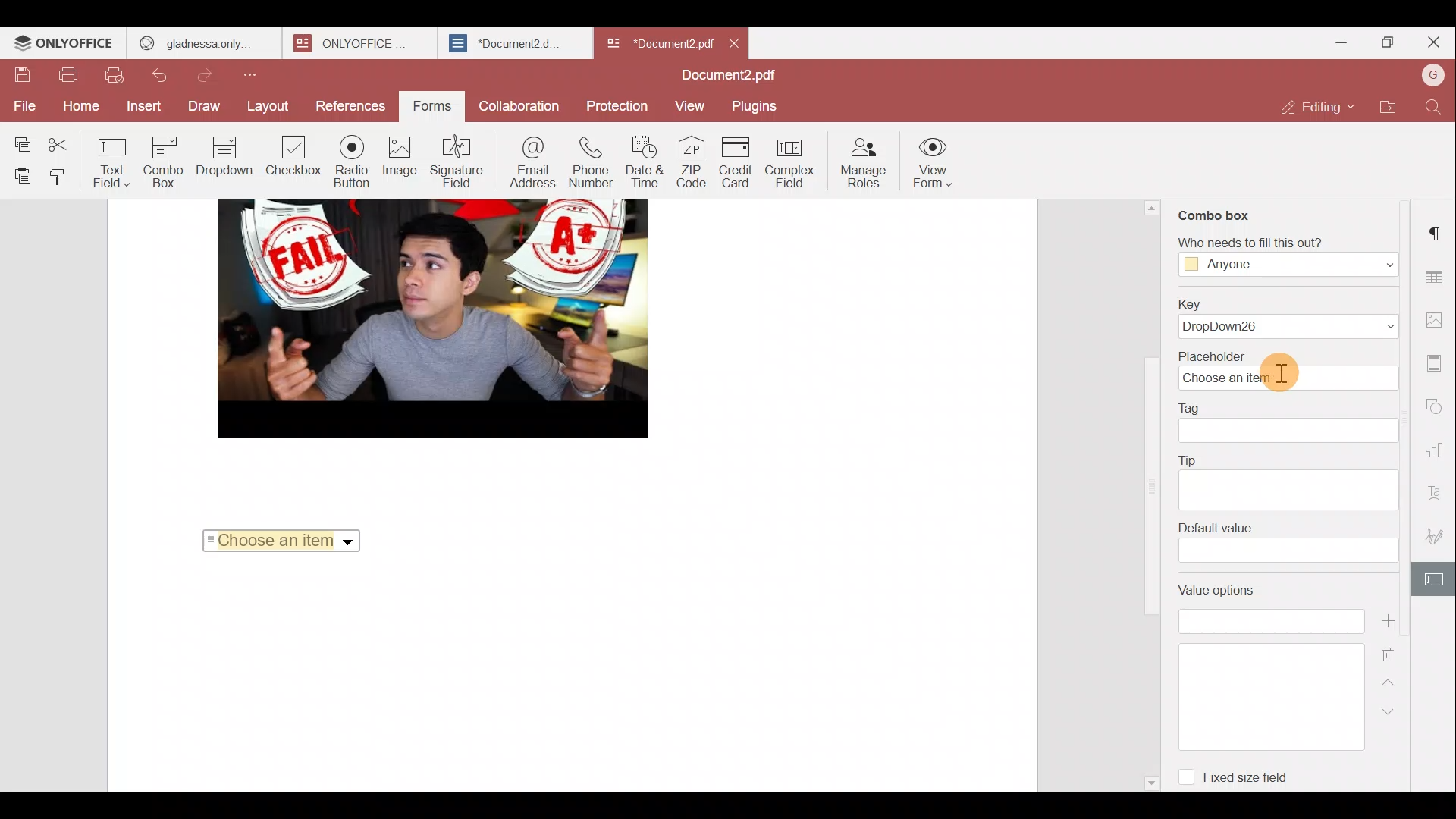  Describe the element at coordinates (1316, 108) in the screenshot. I see `Editing mode` at that location.